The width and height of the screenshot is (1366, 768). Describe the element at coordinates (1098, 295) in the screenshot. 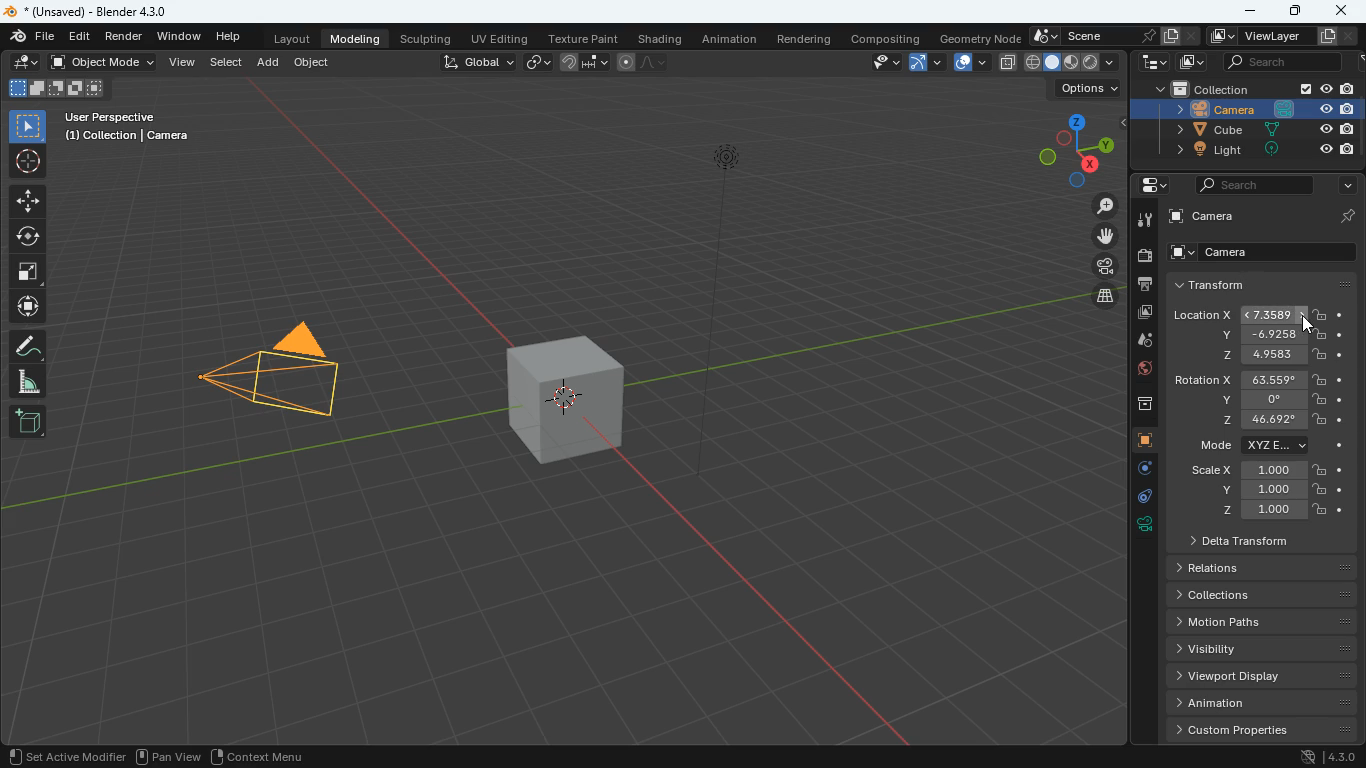

I see `layer` at that location.